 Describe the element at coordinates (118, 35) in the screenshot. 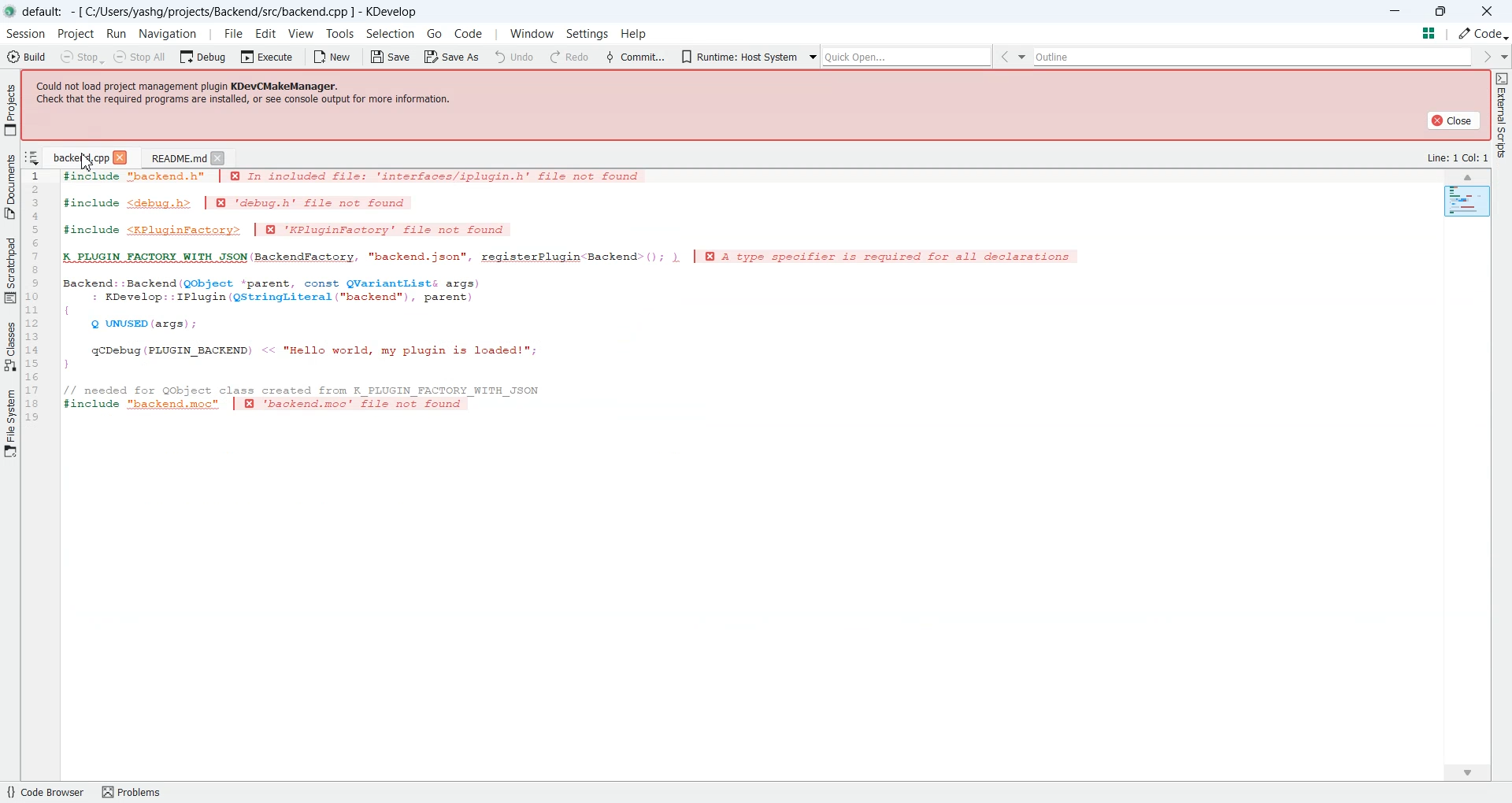

I see `Run` at that location.